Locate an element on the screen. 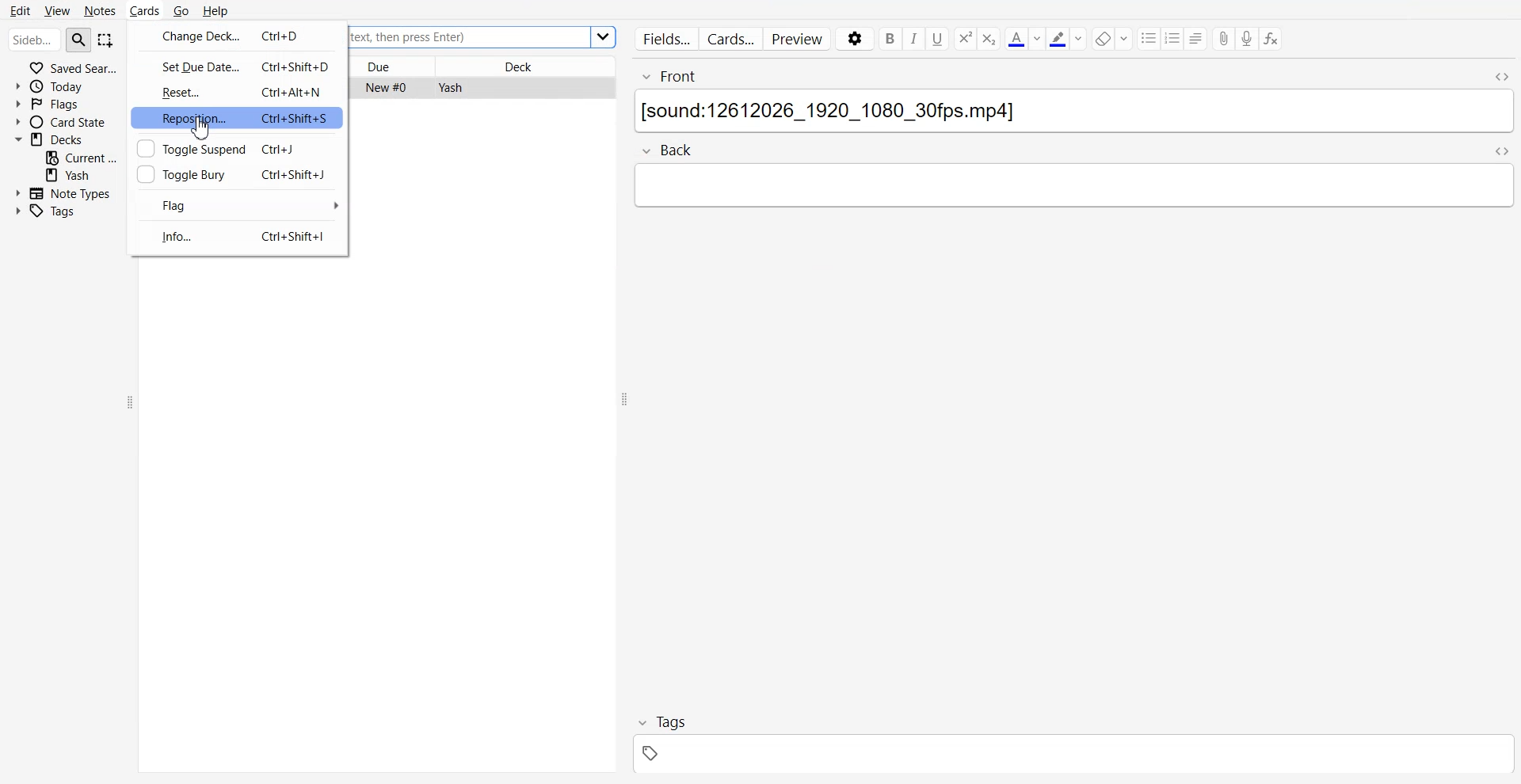  Deck is located at coordinates (66, 139).